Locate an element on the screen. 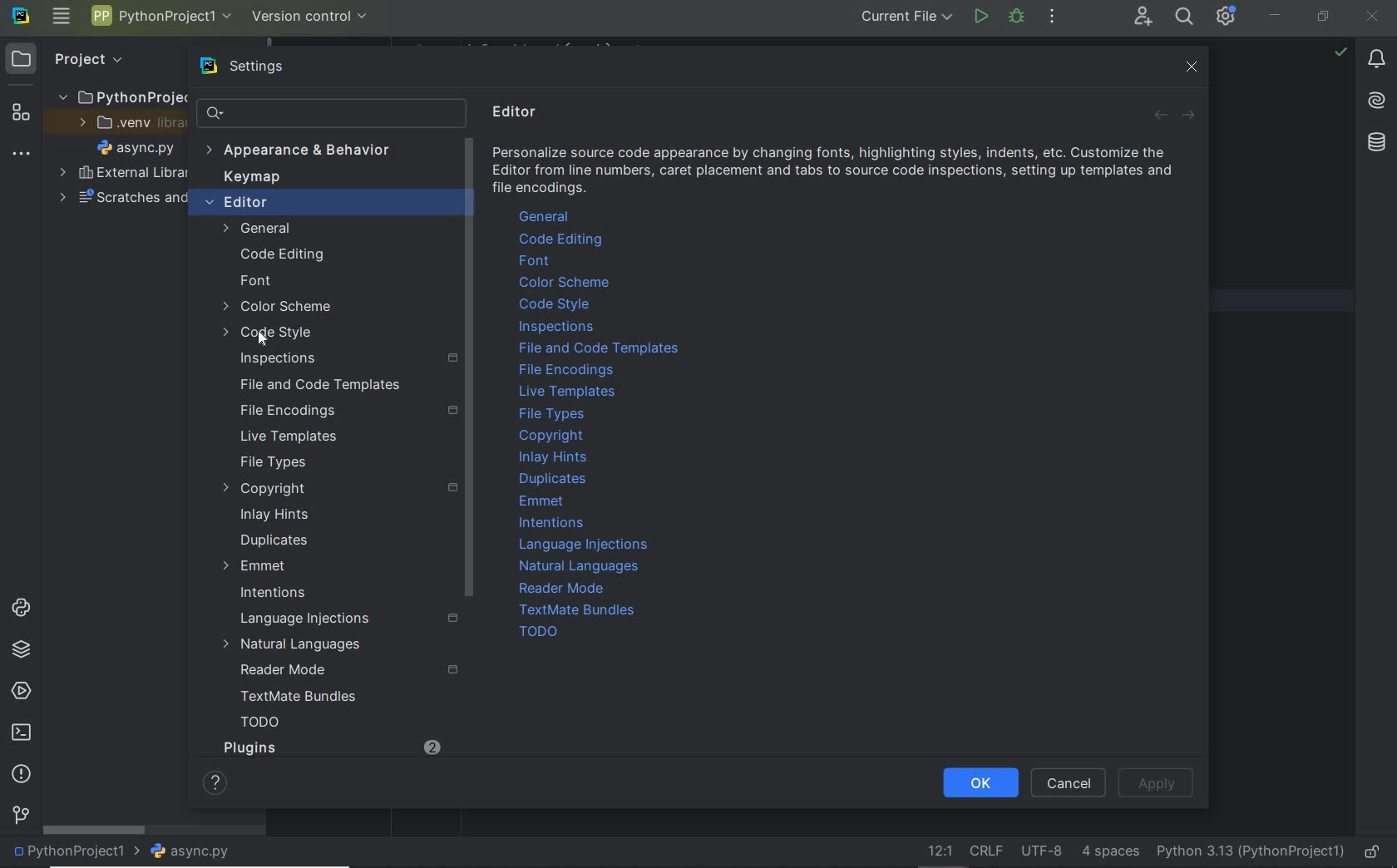 This screenshot has width=1397, height=868. Inspections is located at coordinates (559, 328).